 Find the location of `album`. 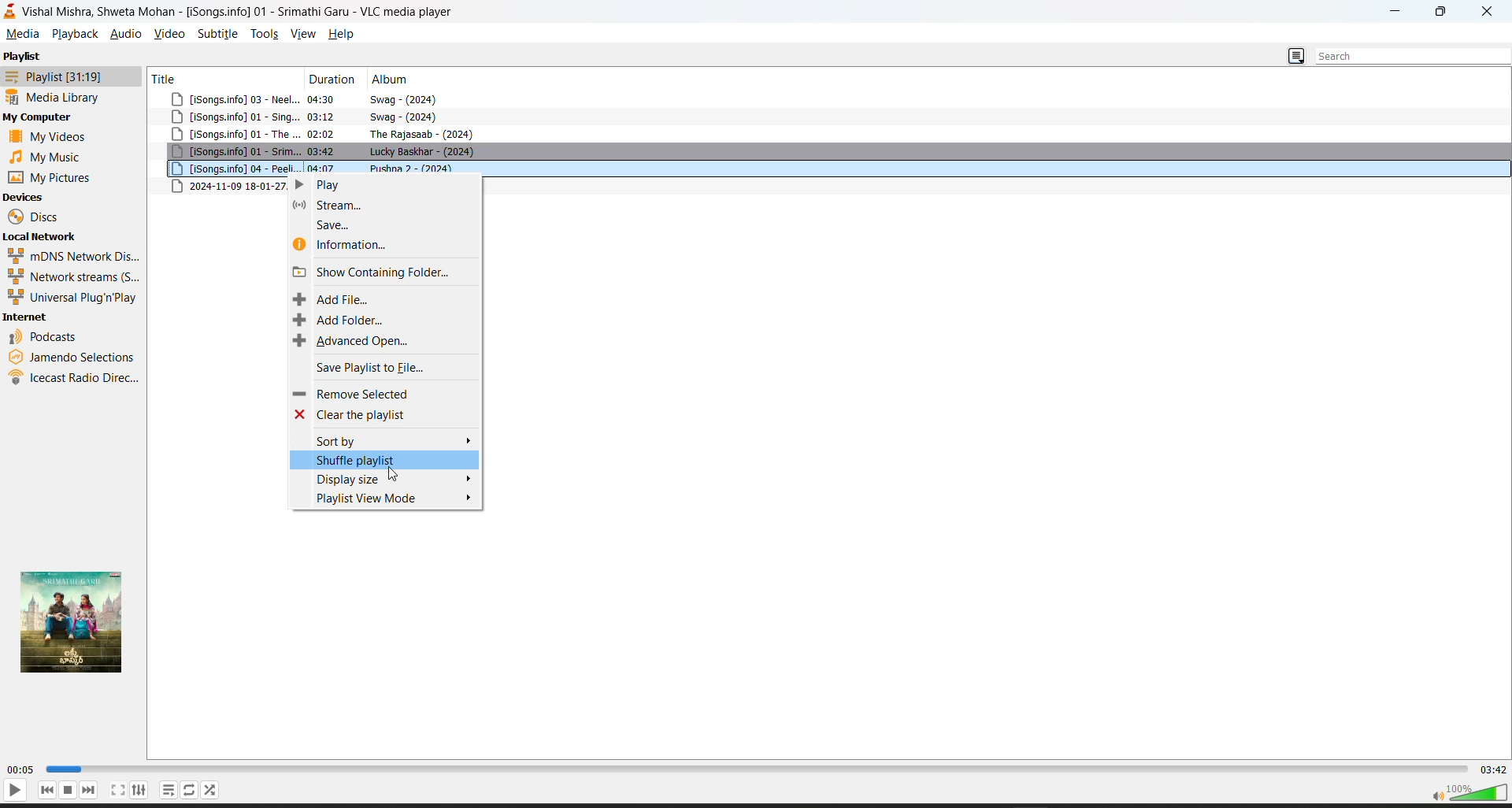

album is located at coordinates (391, 79).